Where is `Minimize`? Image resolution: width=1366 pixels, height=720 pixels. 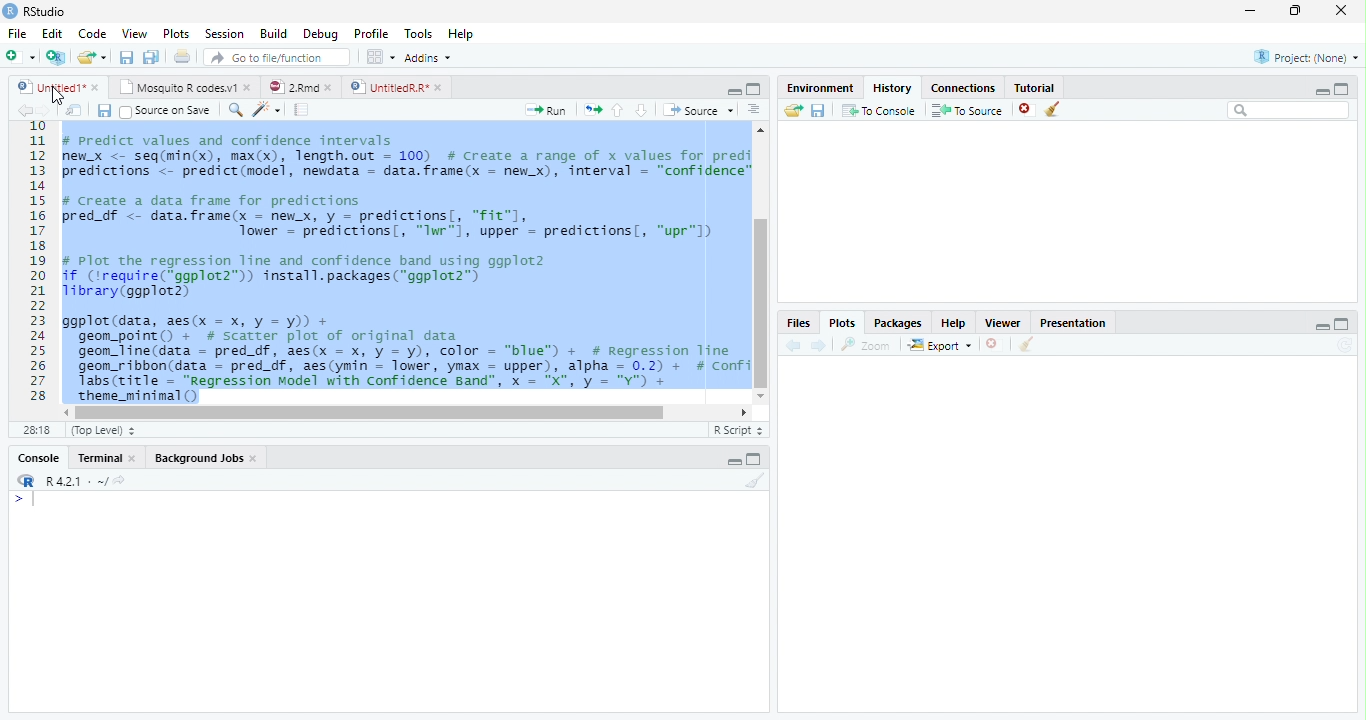
Minimize is located at coordinates (1321, 93).